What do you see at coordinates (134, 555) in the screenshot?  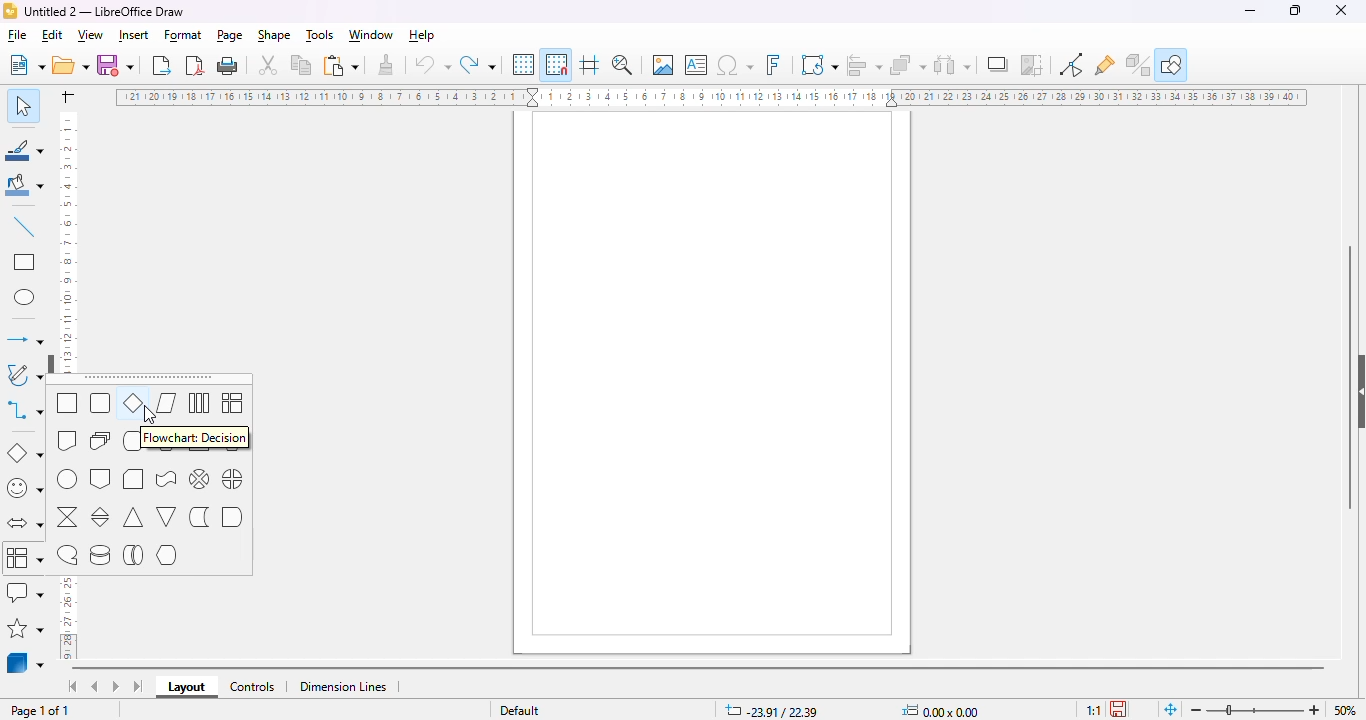 I see `flowchart: direct access storage` at bounding box center [134, 555].